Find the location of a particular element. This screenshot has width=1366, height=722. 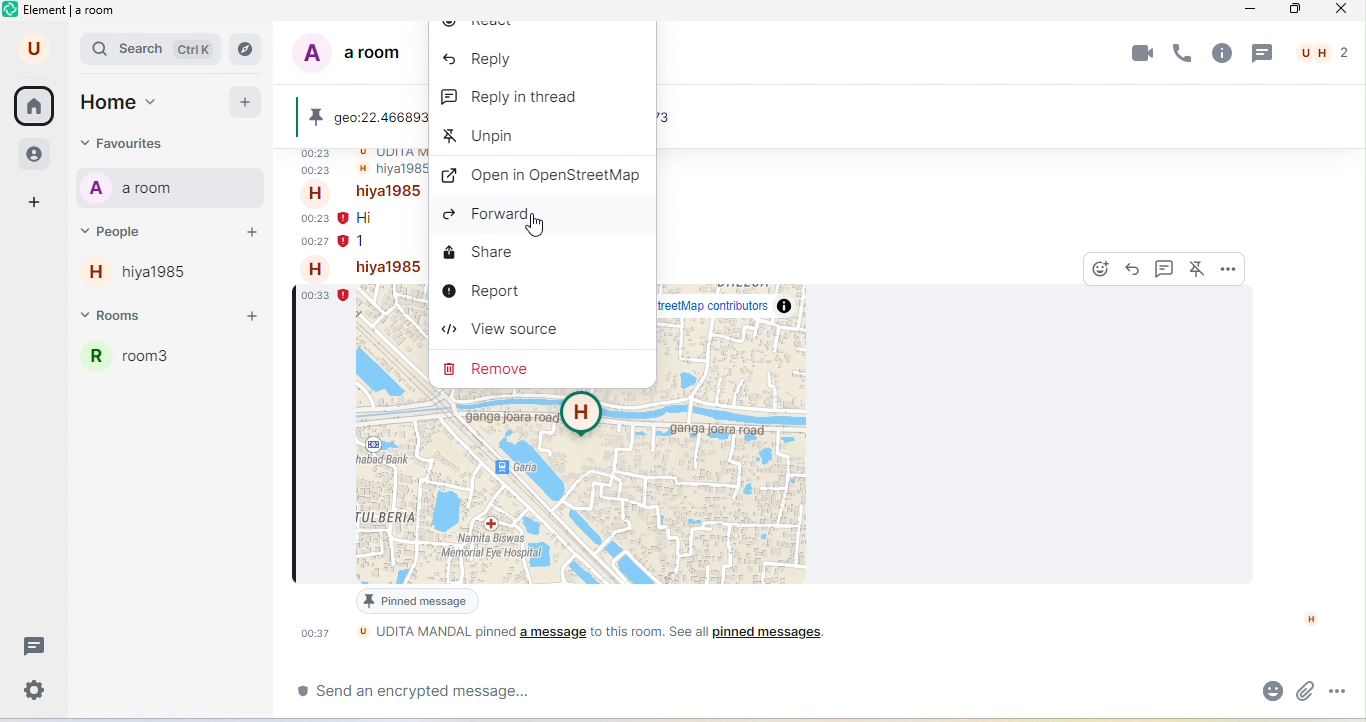

minimize is located at coordinates (1252, 12).